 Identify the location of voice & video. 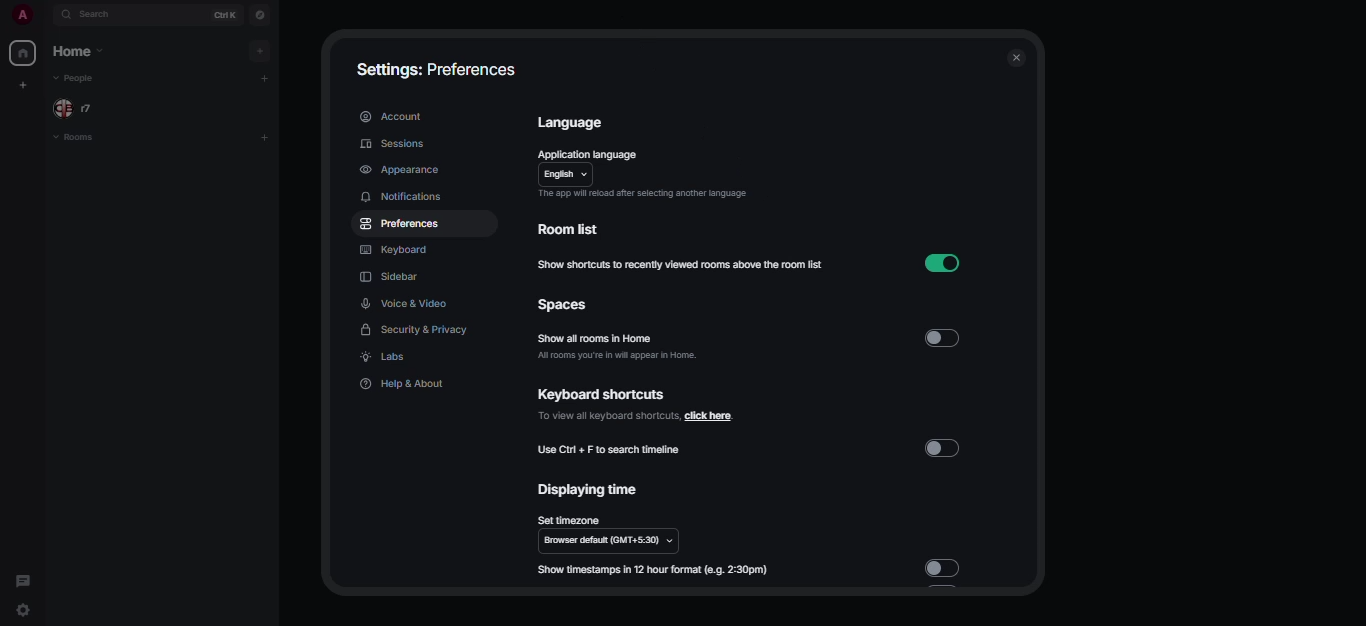
(405, 305).